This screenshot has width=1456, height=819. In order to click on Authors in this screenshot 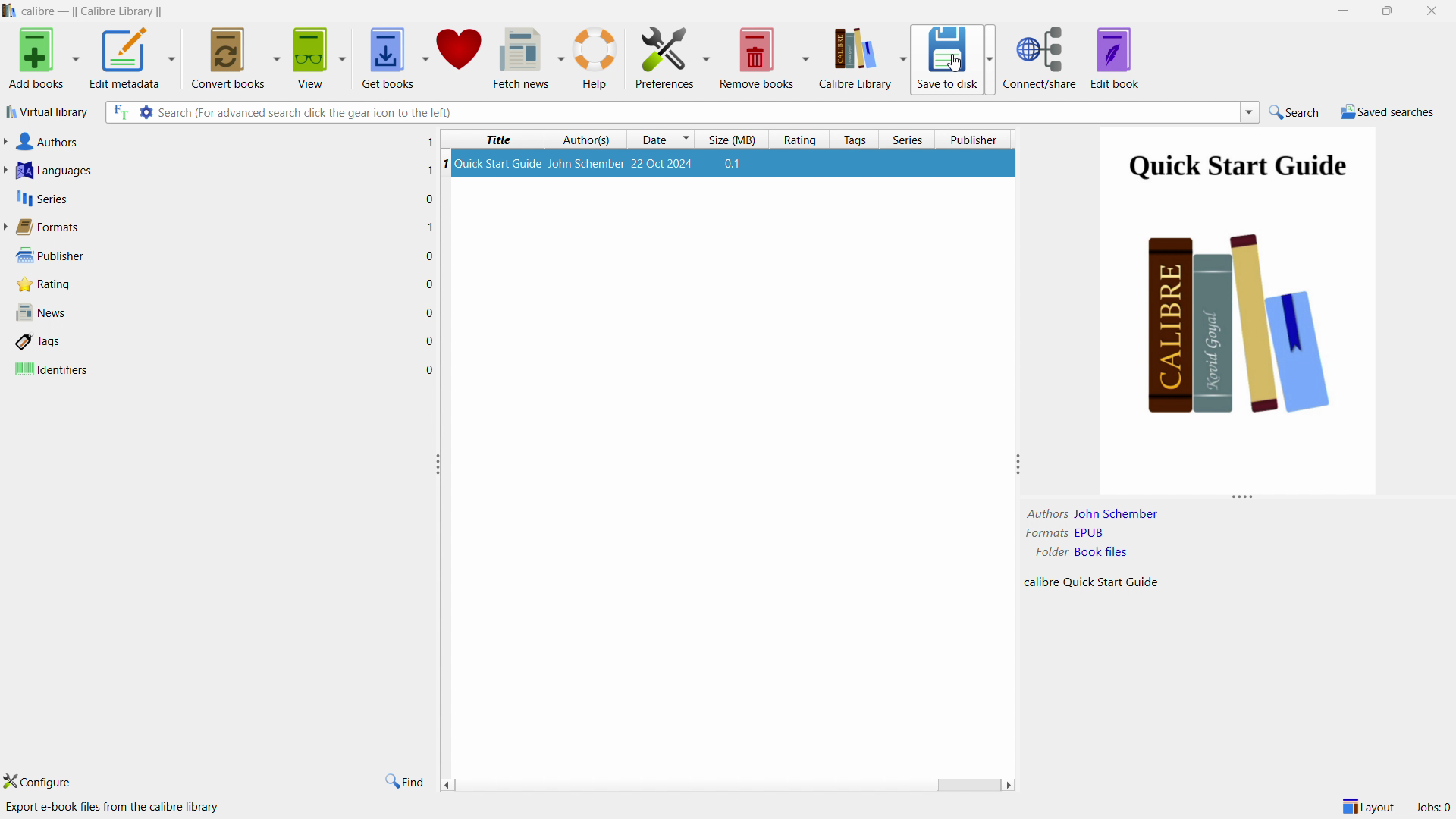, I will do `click(47, 142)`.